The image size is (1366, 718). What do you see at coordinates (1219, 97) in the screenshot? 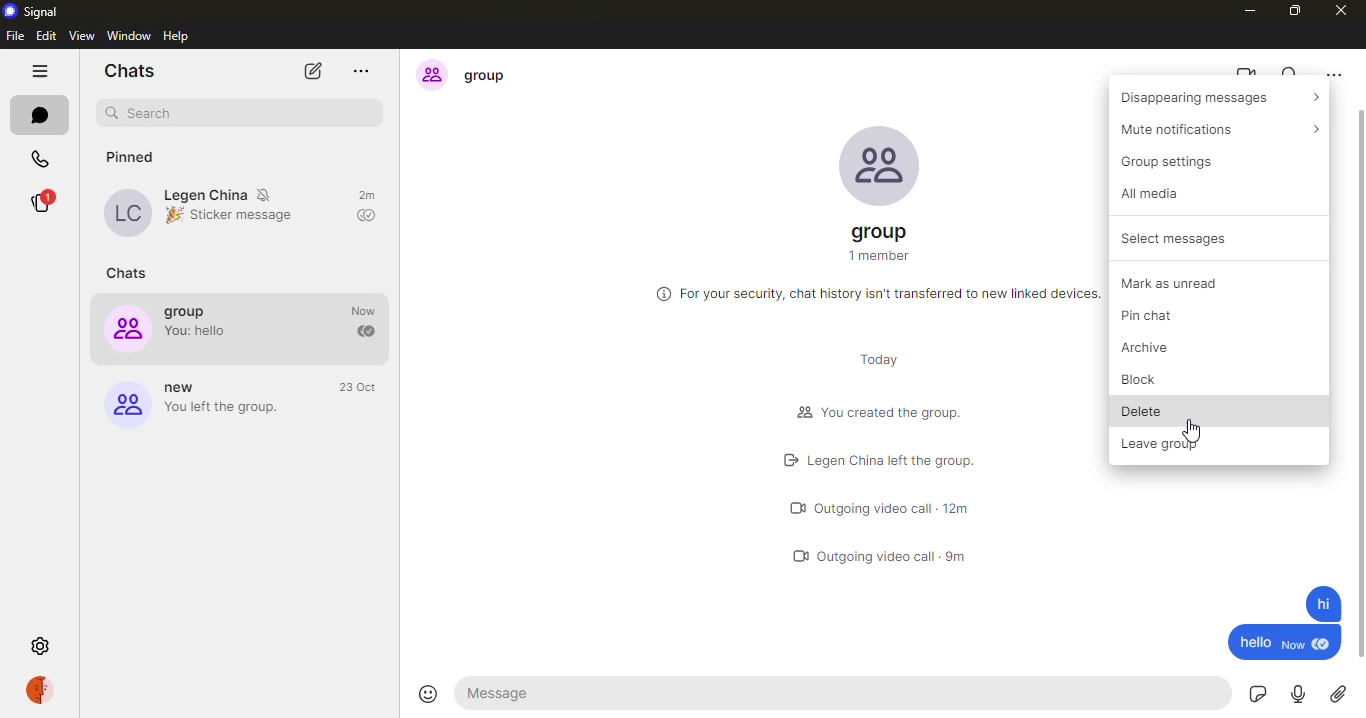
I see `disappearing message` at bounding box center [1219, 97].